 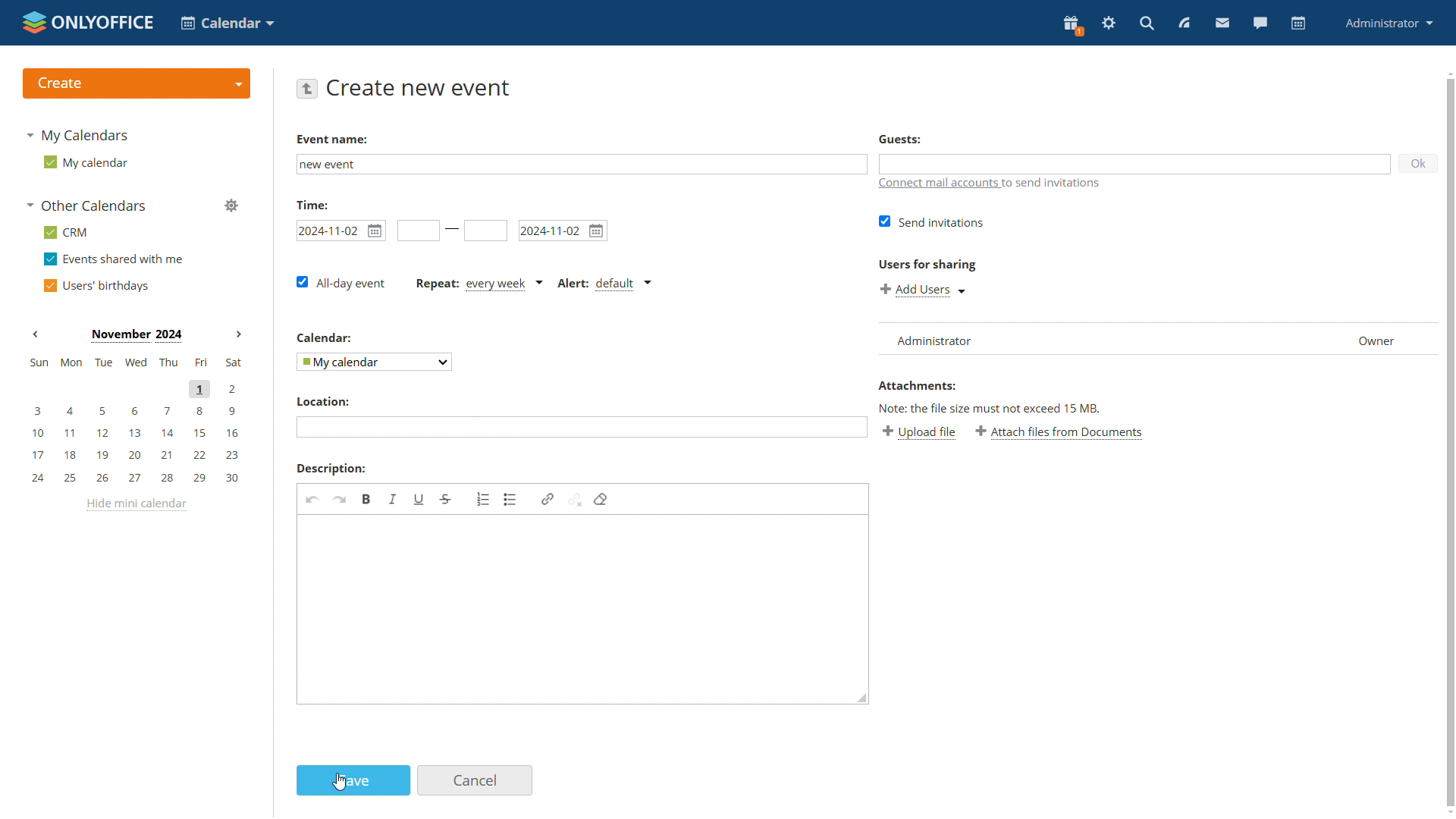 What do you see at coordinates (585, 610) in the screenshot?
I see `edit description` at bounding box center [585, 610].